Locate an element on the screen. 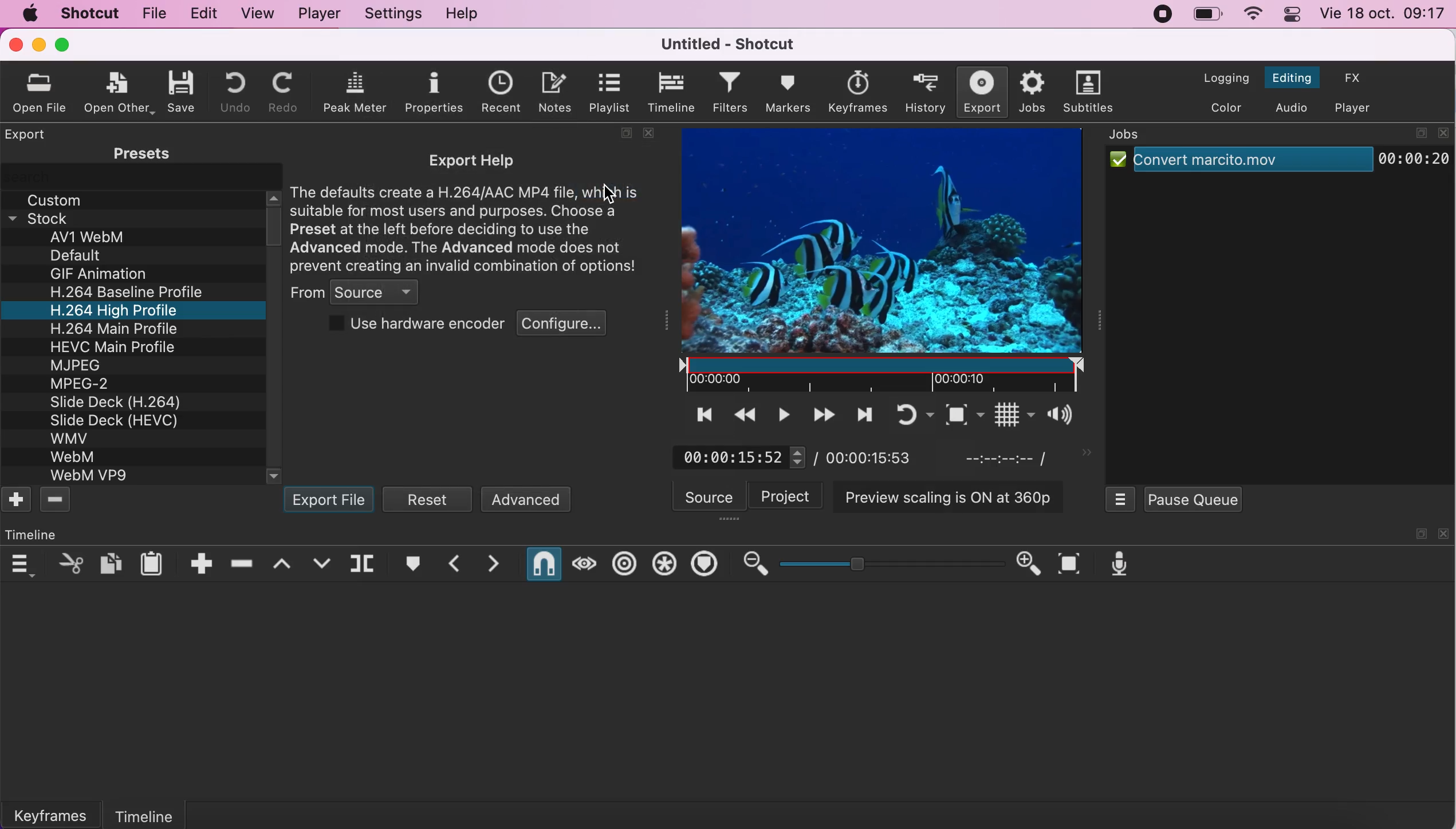 The image size is (1456, 829). split at playhead is located at coordinates (366, 566).